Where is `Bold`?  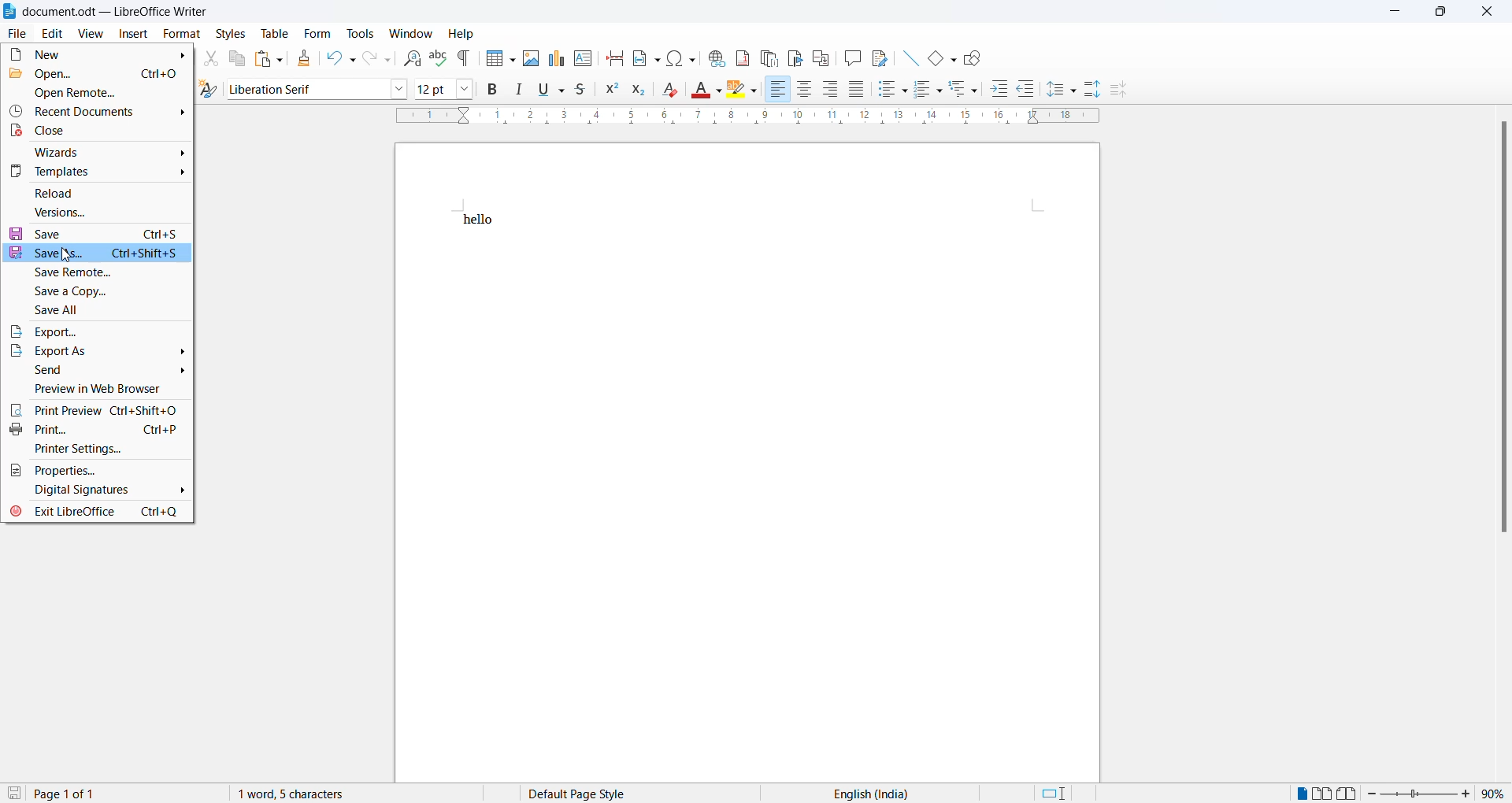
Bold is located at coordinates (492, 91).